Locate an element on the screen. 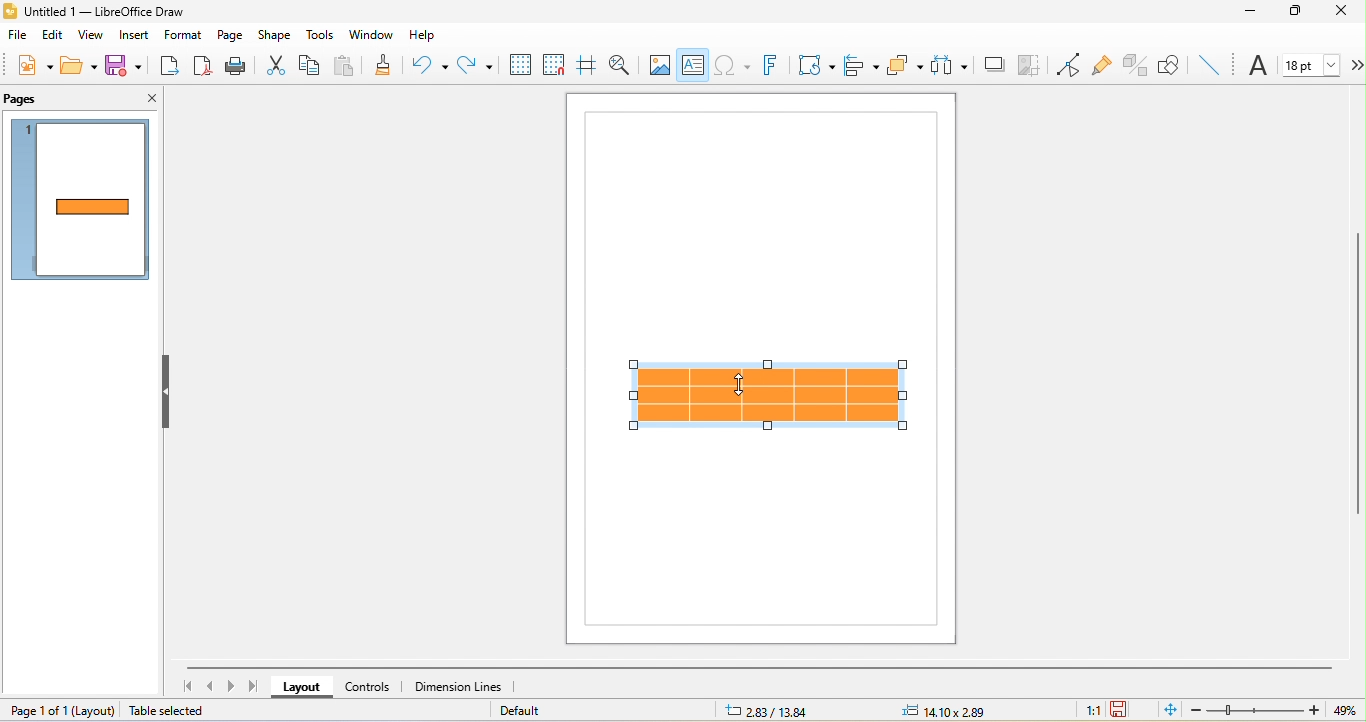 The image size is (1366, 722). shadow is located at coordinates (991, 65).